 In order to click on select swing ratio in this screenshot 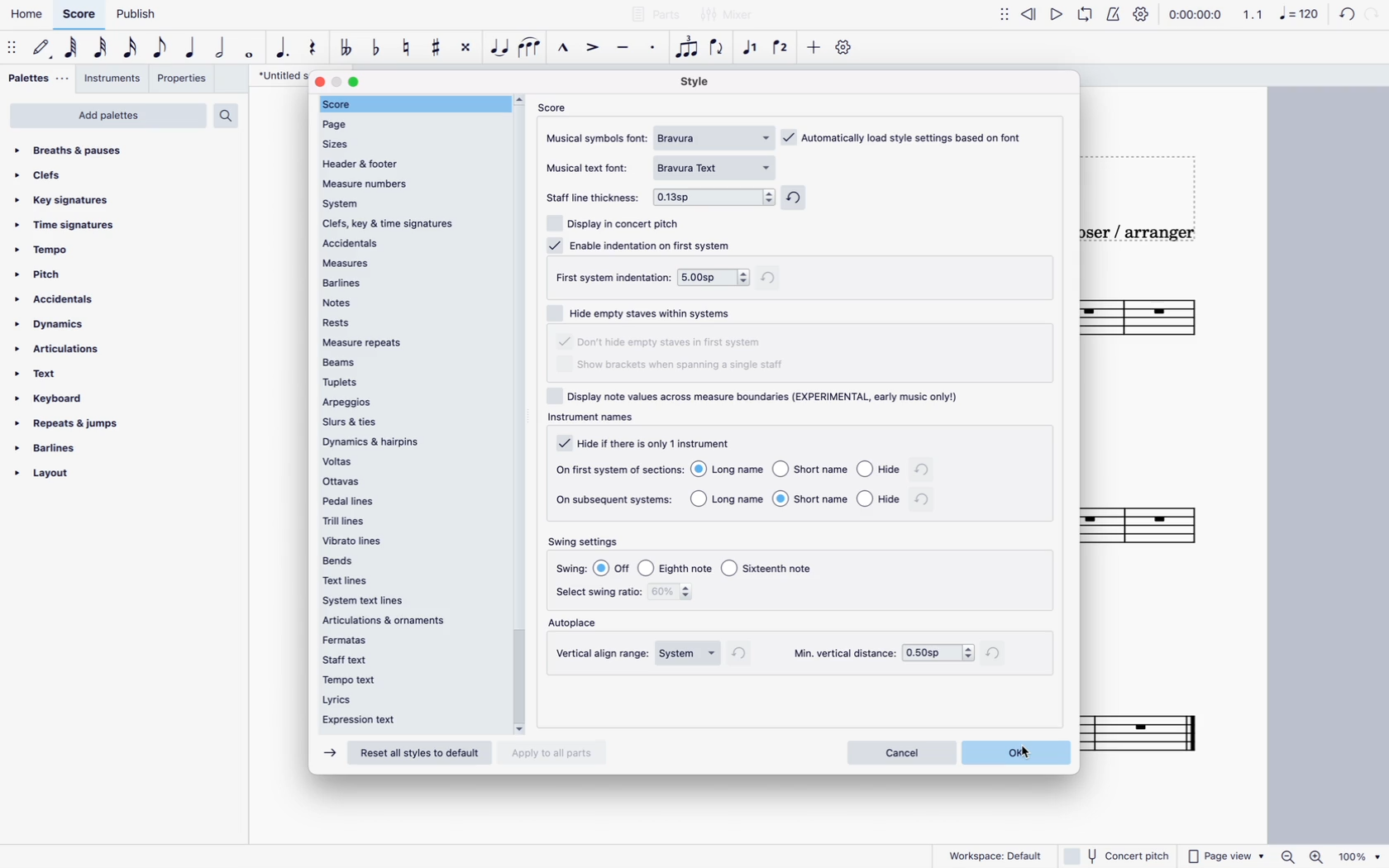, I will do `click(597, 592)`.